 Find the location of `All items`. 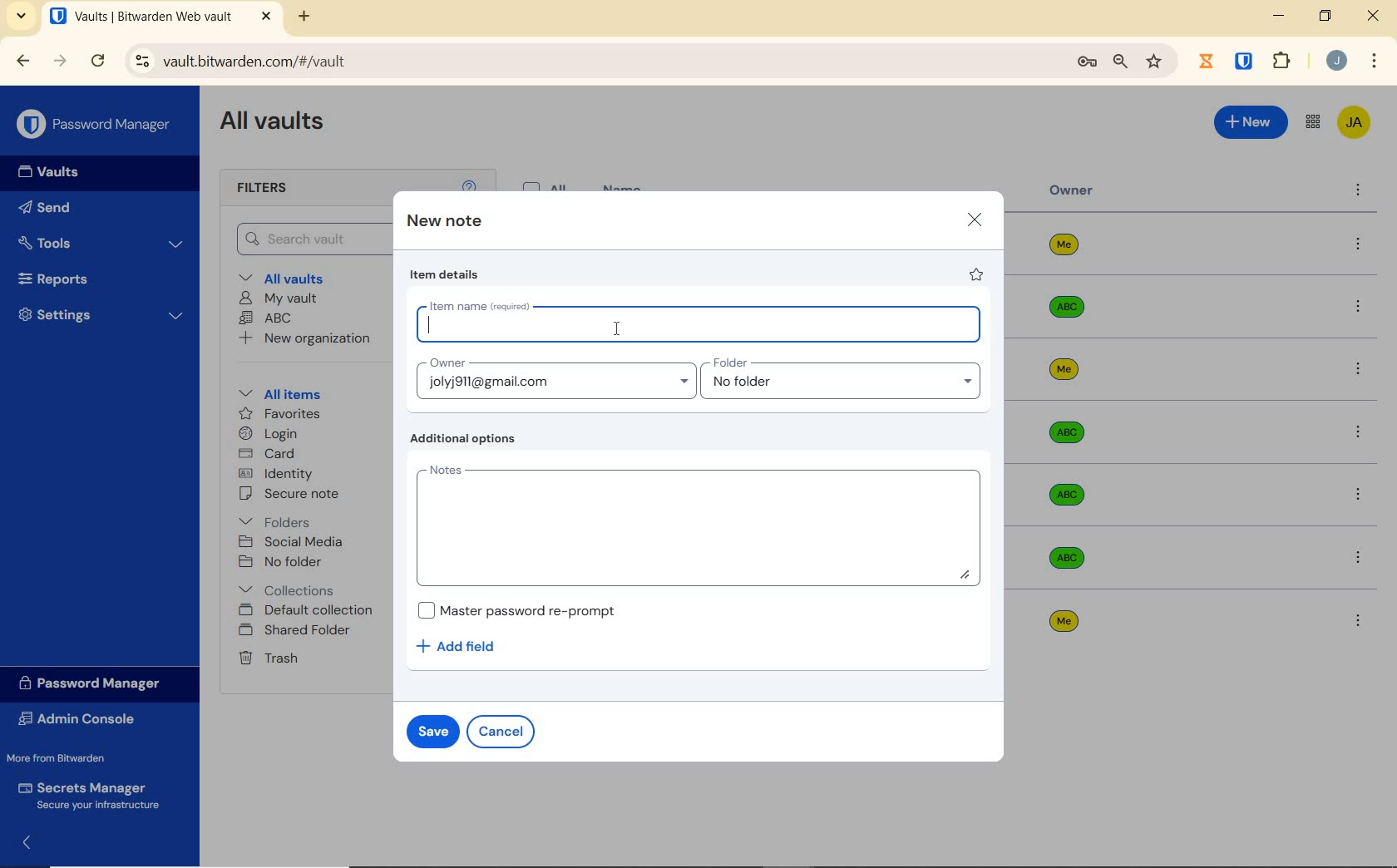

All items is located at coordinates (292, 394).